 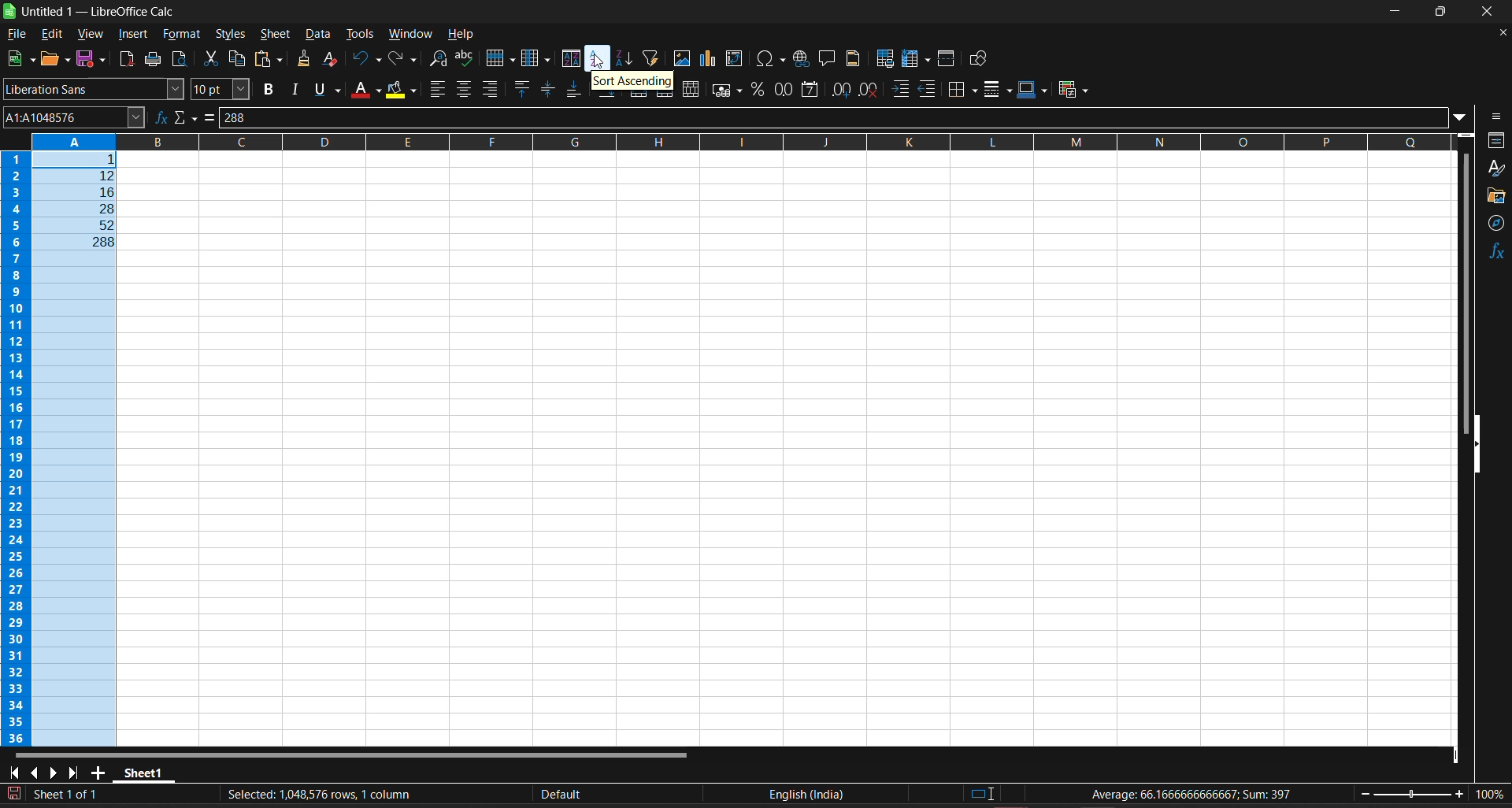 What do you see at coordinates (743, 143) in the screenshot?
I see `column name` at bounding box center [743, 143].